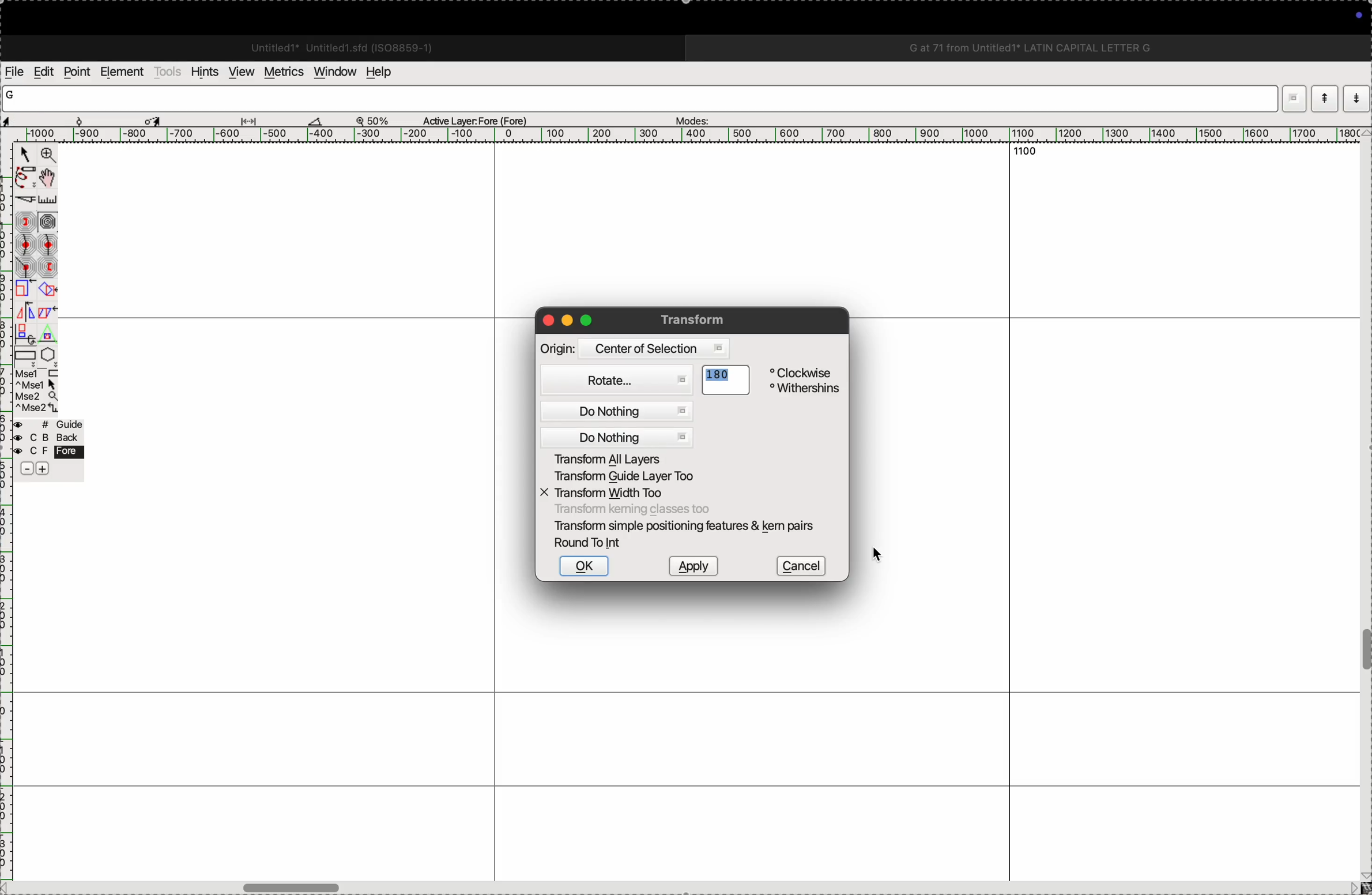 The image size is (1372, 895). What do you see at coordinates (664, 350) in the screenshot?
I see `Centre of selection` at bounding box center [664, 350].